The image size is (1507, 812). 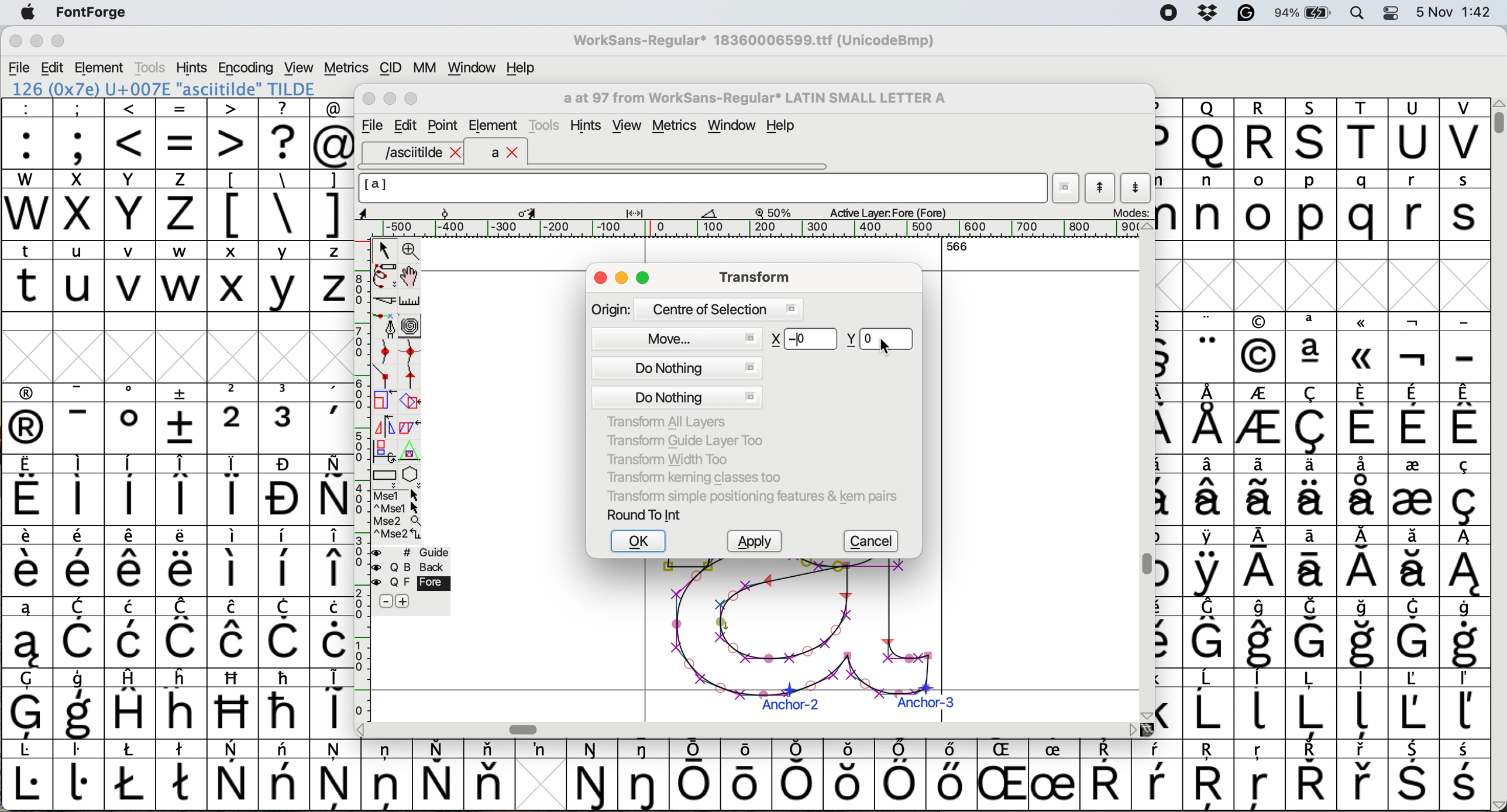 What do you see at coordinates (875, 542) in the screenshot?
I see `cancel` at bounding box center [875, 542].